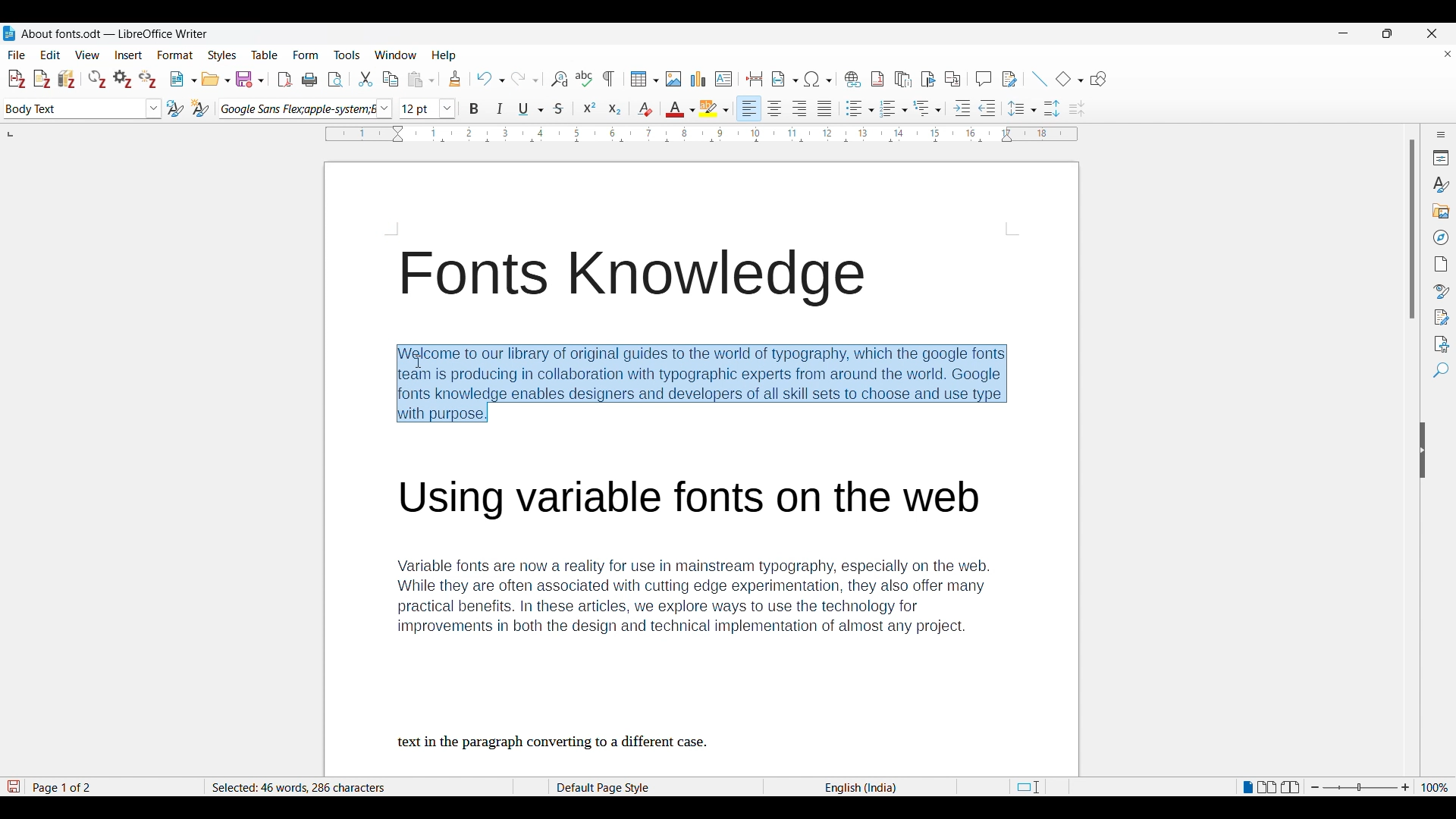  I want to click on Show track changes functions, so click(1009, 79).